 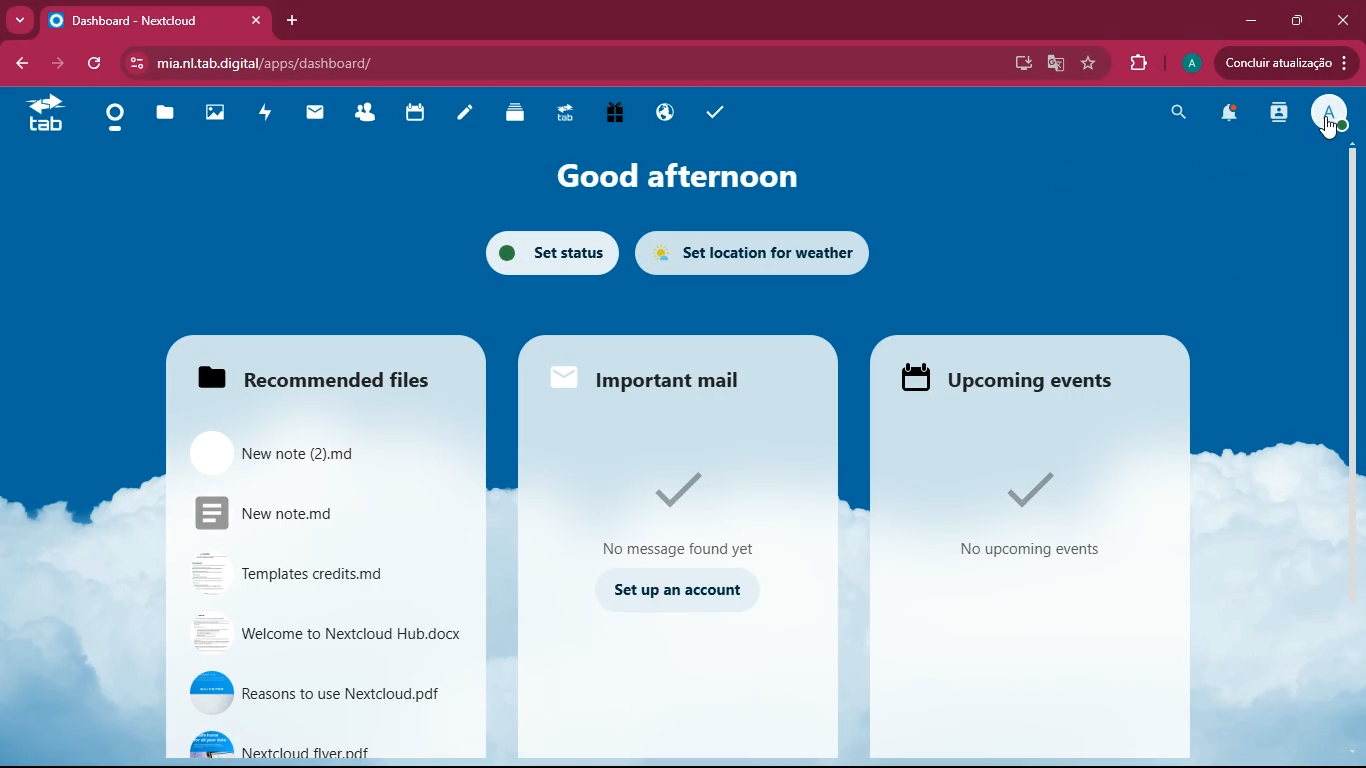 What do you see at coordinates (325, 691) in the screenshot?
I see `file` at bounding box center [325, 691].